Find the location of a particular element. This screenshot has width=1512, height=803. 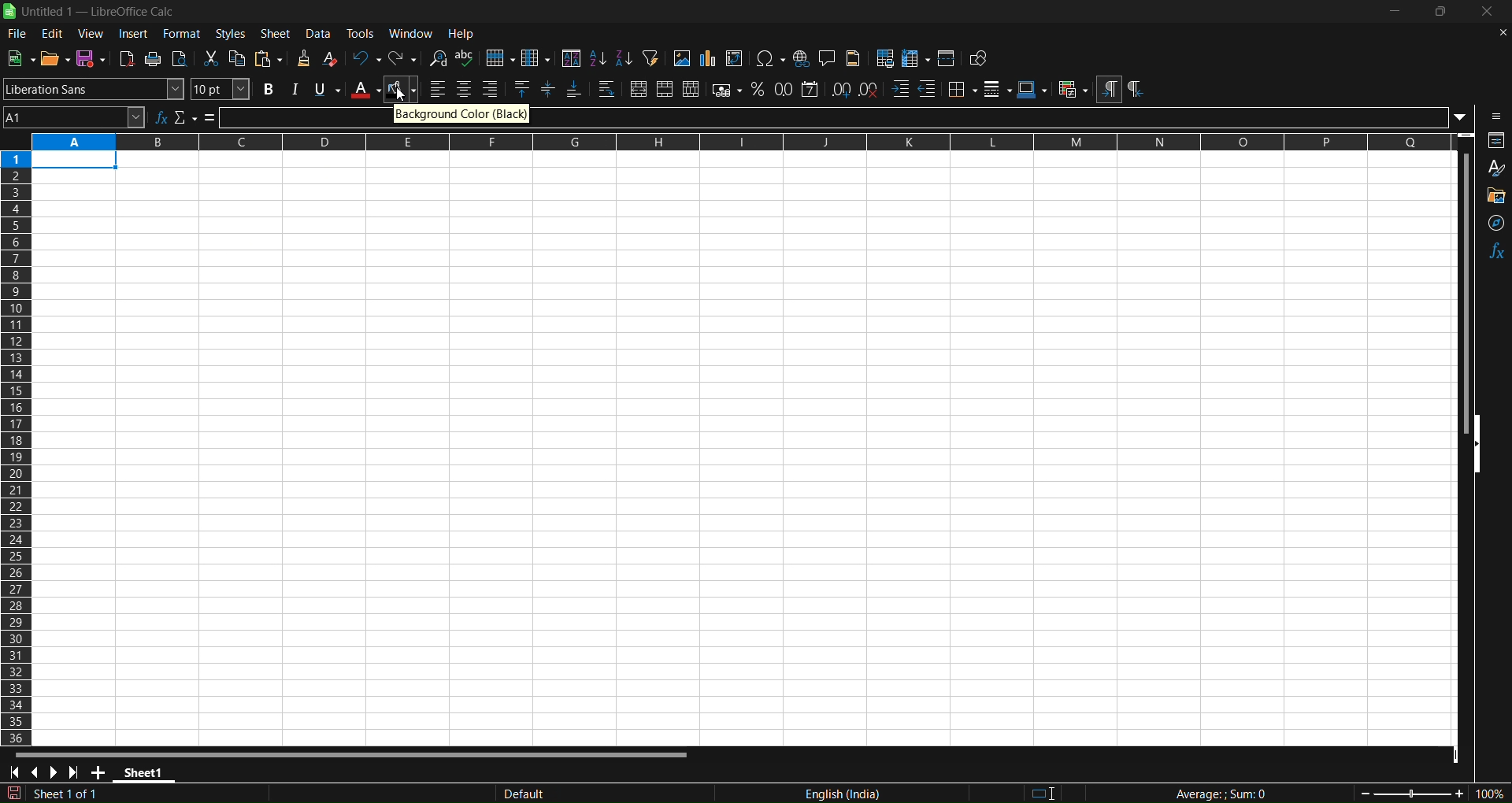

bold is located at coordinates (270, 89).